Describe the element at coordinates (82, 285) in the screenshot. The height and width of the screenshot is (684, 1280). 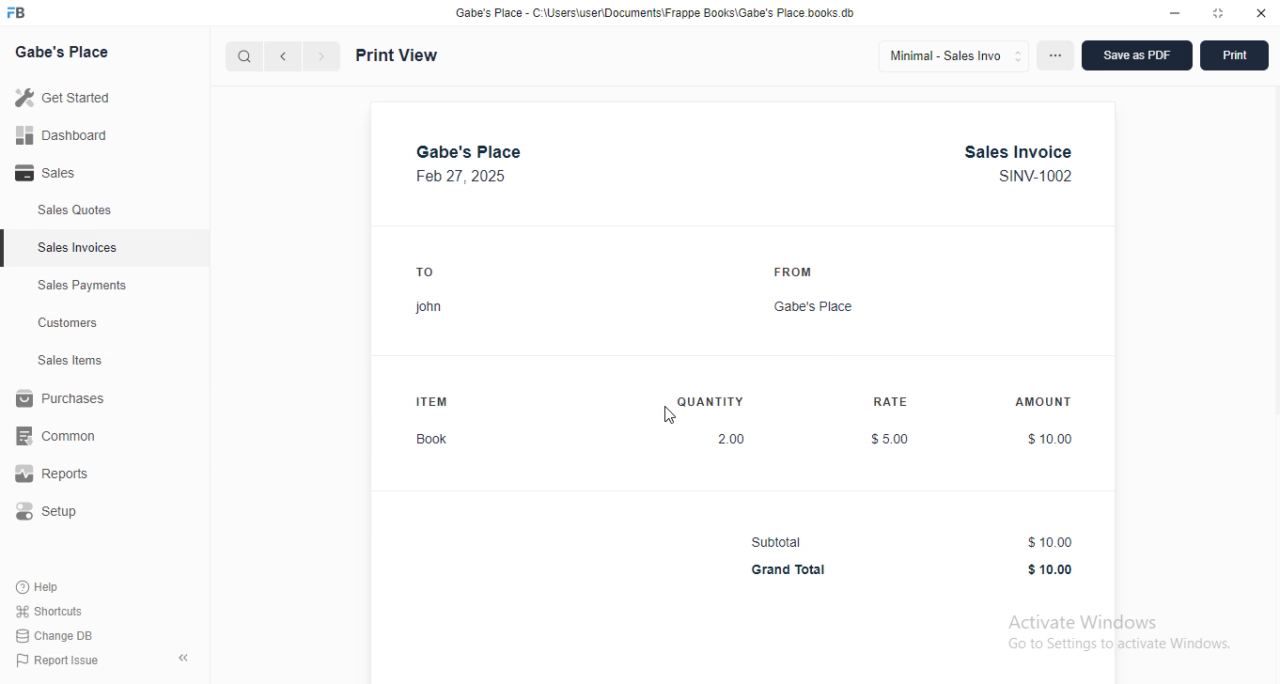
I see `sales payments` at that location.